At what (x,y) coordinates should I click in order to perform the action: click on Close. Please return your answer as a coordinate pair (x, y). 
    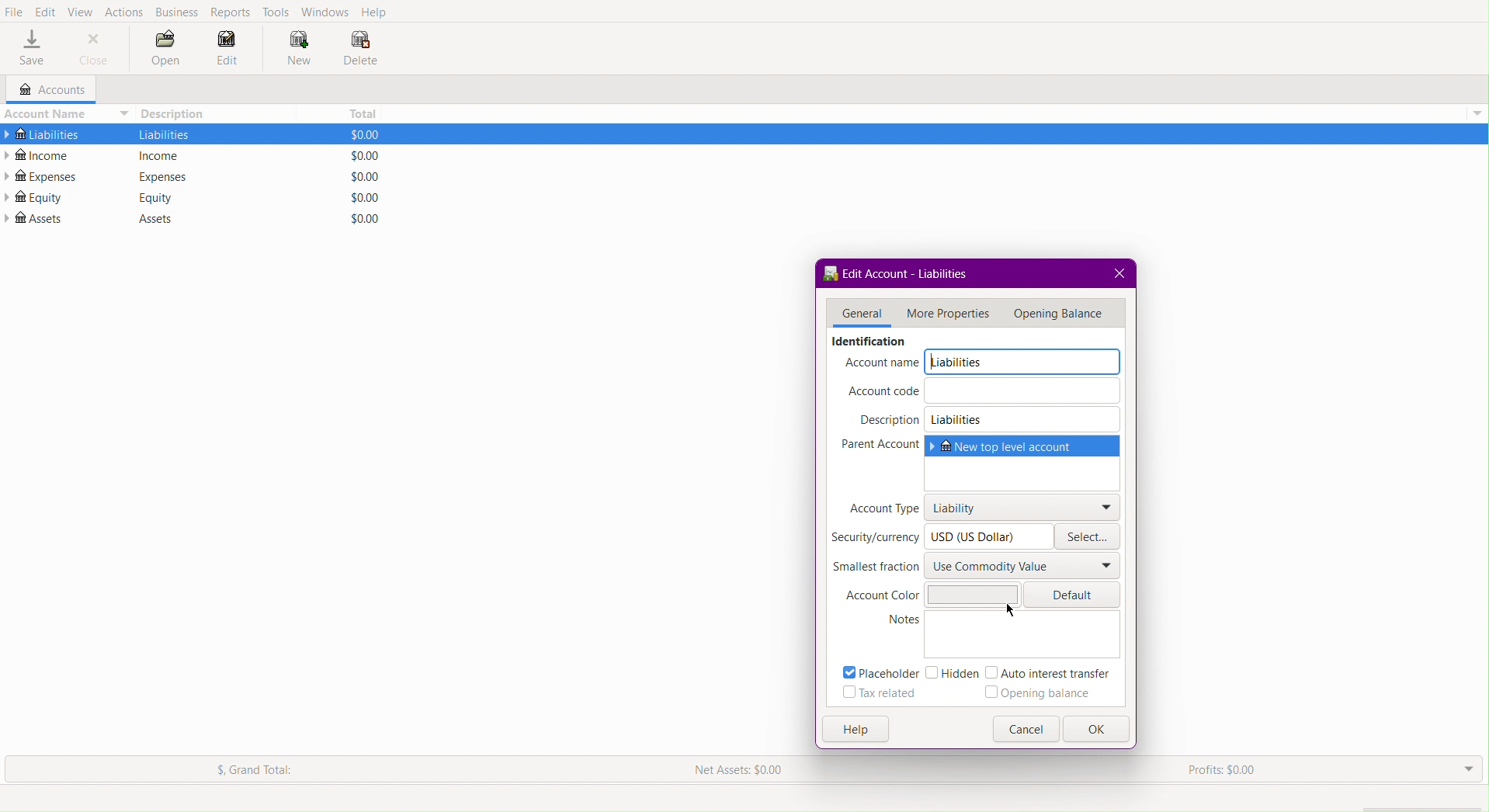
    Looking at the image, I should click on (1116, 275).